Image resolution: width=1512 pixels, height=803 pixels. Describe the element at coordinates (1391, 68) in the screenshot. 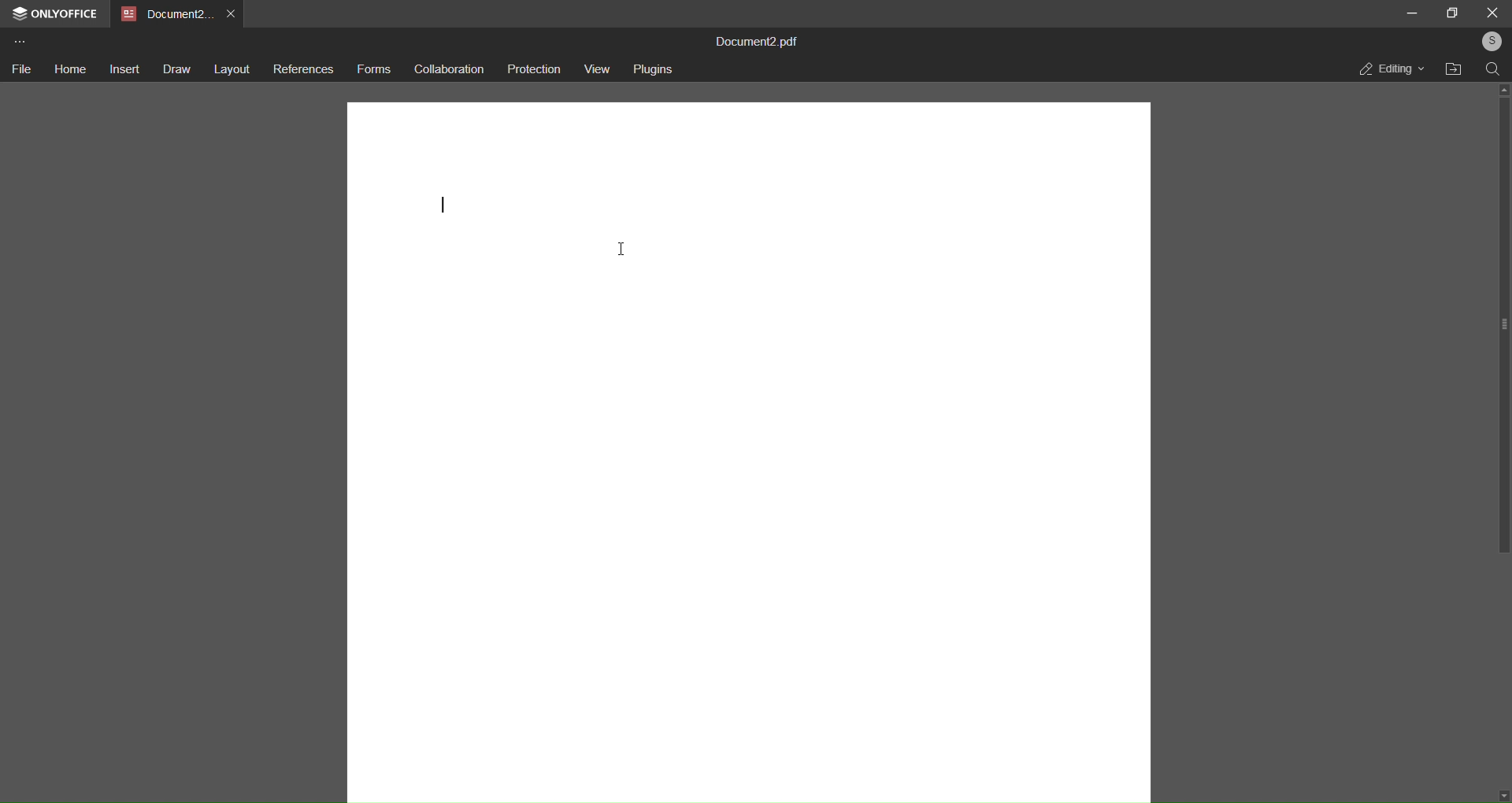

I see `editing` at that location.